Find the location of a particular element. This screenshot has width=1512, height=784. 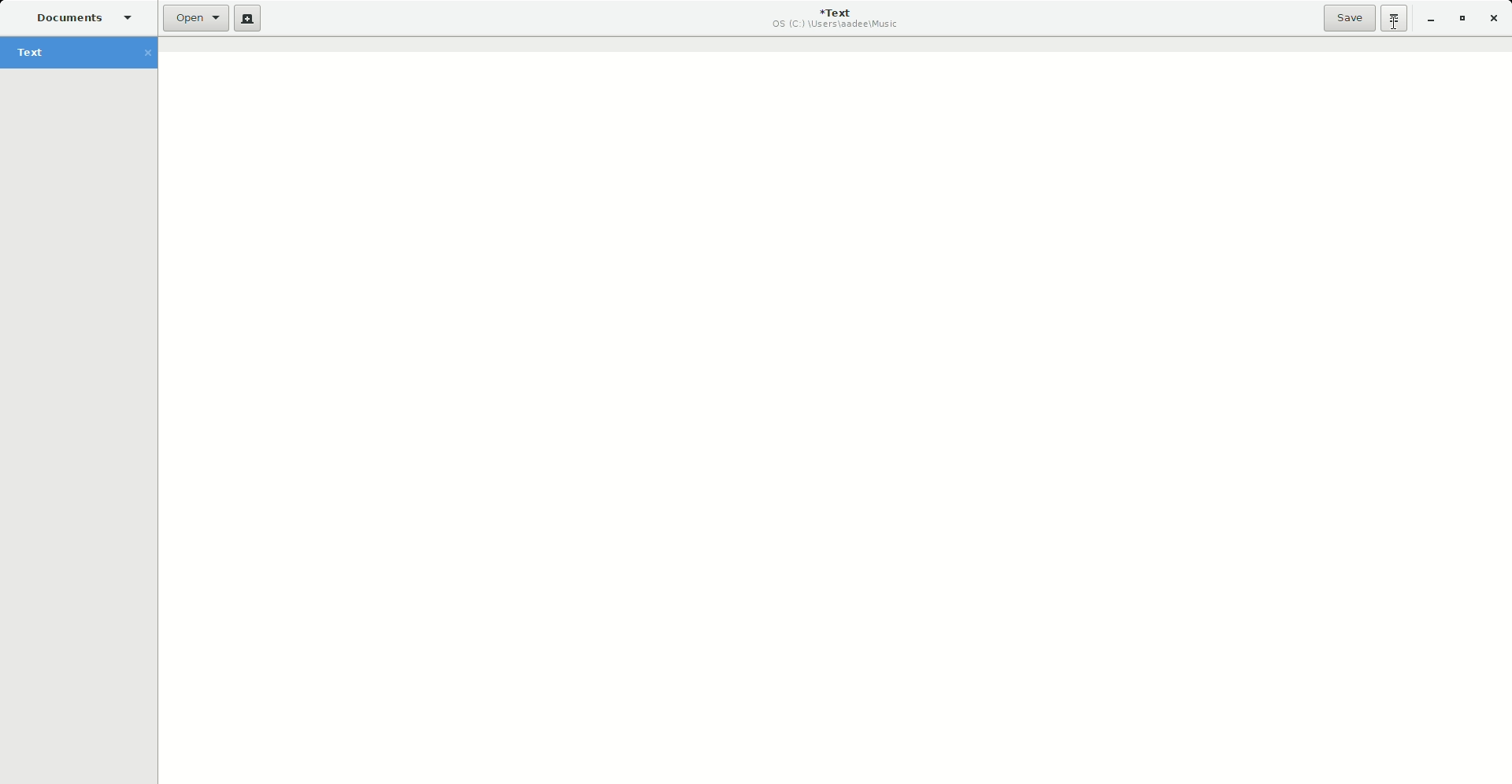

Text is located at coordinates (80, 52).